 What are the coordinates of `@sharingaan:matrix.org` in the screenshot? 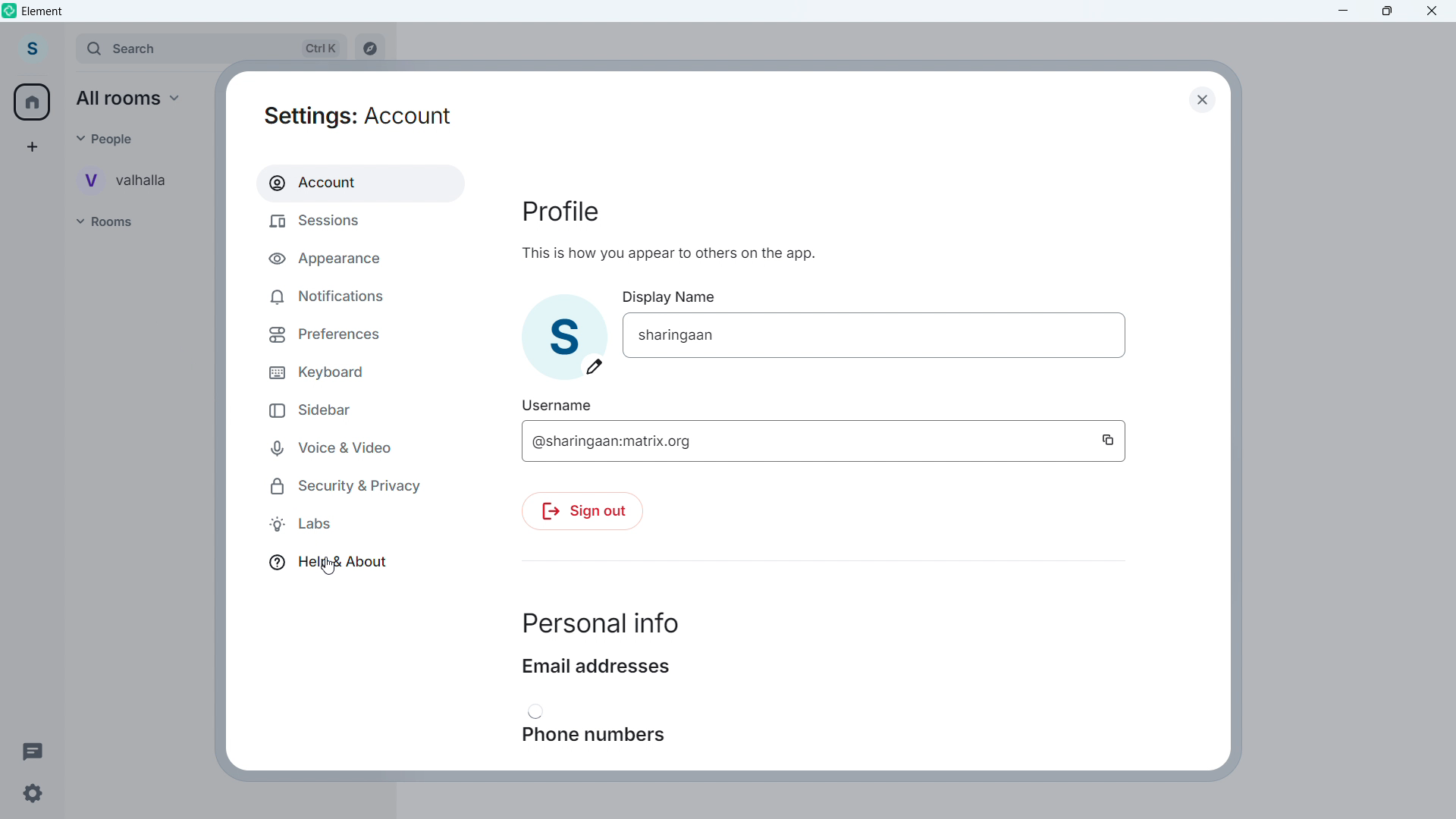 It's located at (791, 441).